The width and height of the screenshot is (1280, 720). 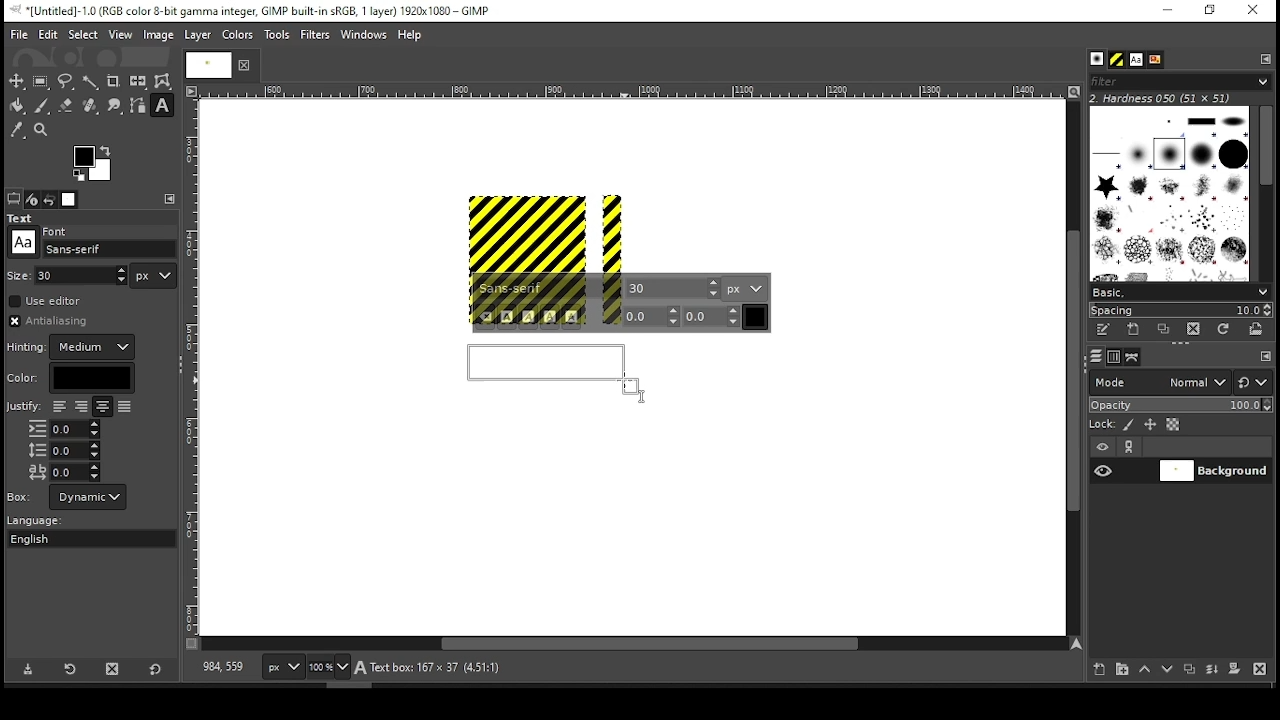 What do you see at coordinates (365, 36) in the screenshot?
I see `windows` at bounding box center [365, 36].